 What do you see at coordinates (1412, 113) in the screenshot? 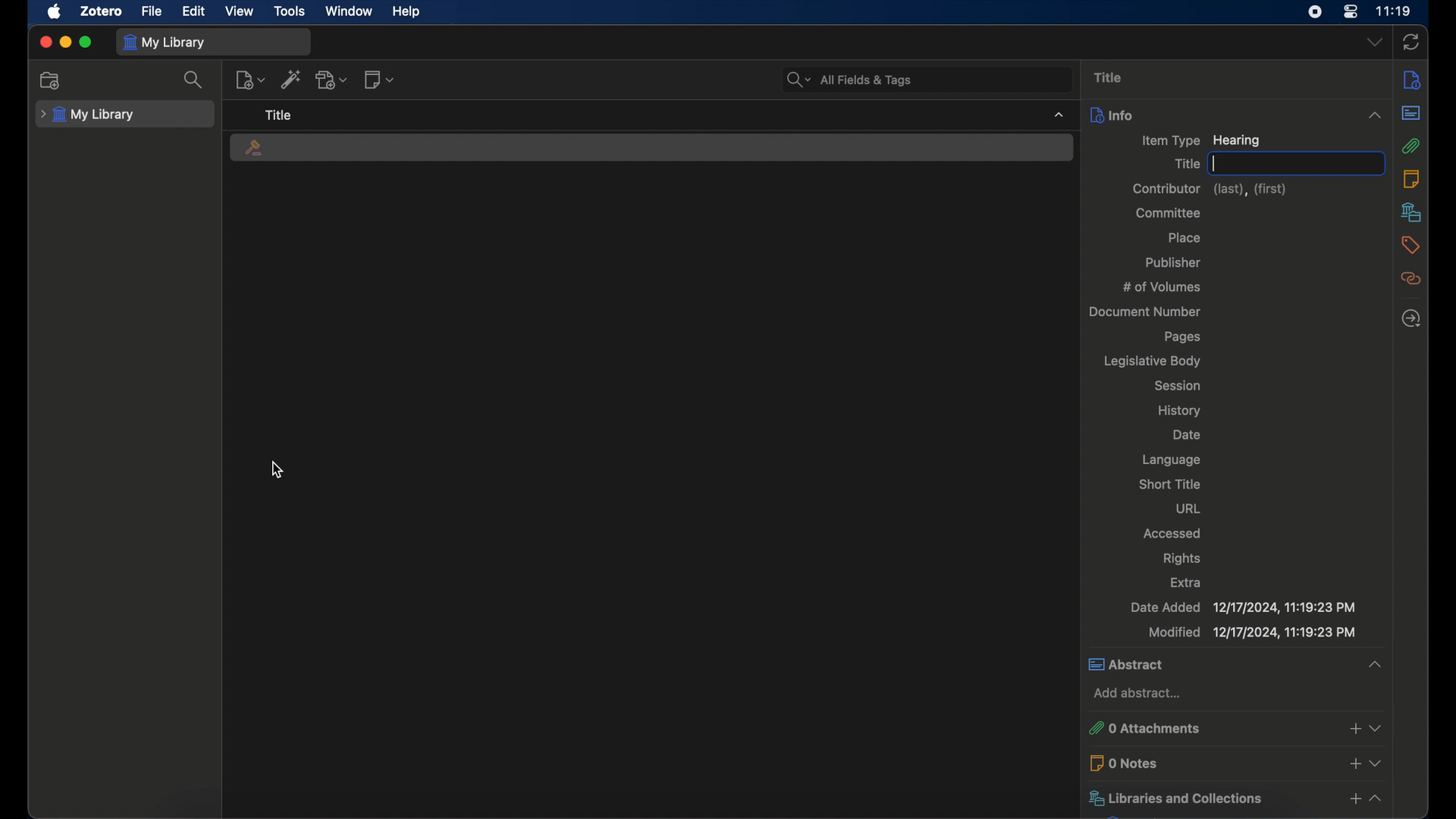
I see `abstract` at bounding box center [1412, 113].